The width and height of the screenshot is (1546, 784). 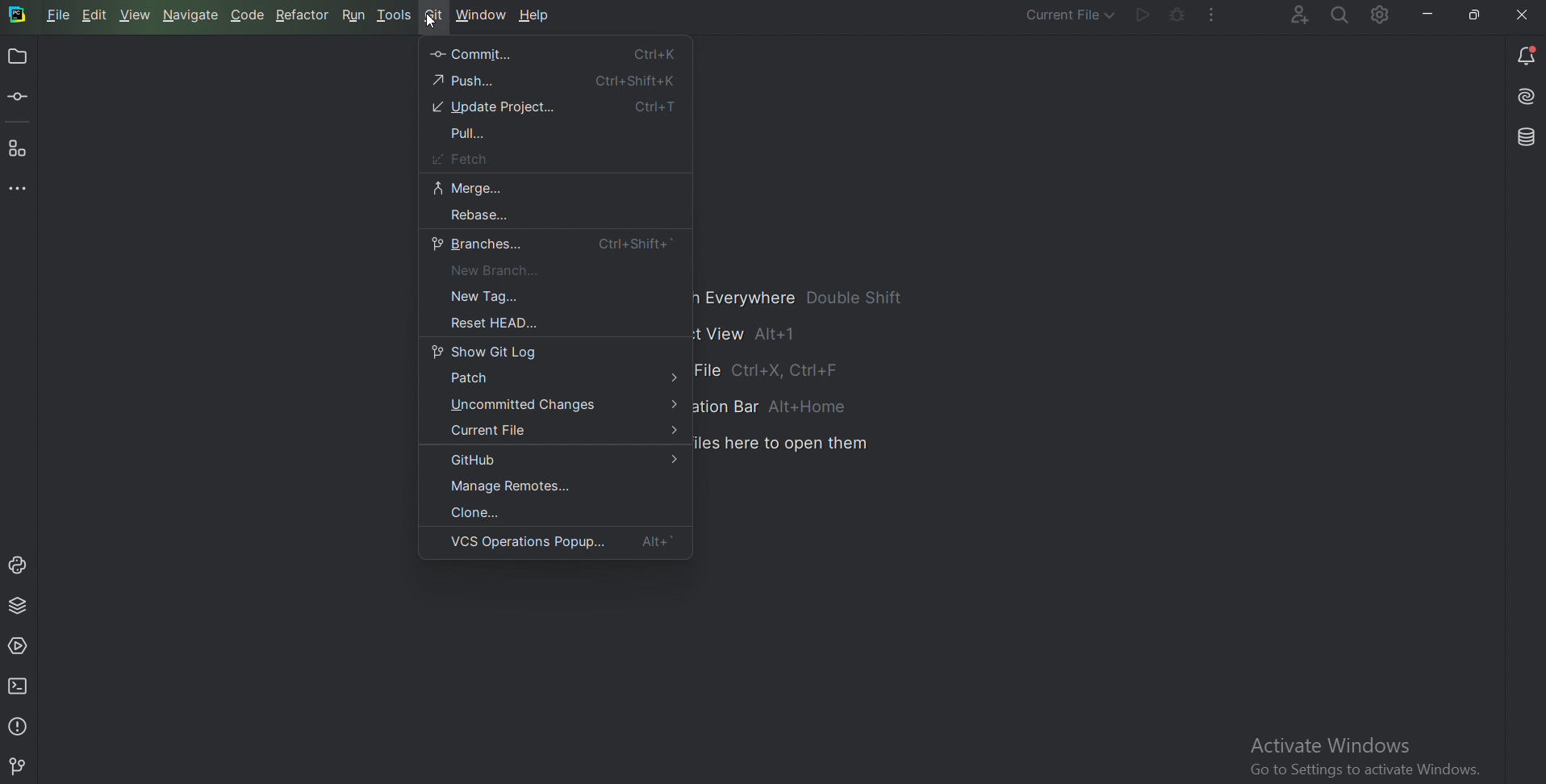 What do you see at coordinates (1476, 12) in the screenshot?
I see `Restore down` at bounding box center [1476, 12].